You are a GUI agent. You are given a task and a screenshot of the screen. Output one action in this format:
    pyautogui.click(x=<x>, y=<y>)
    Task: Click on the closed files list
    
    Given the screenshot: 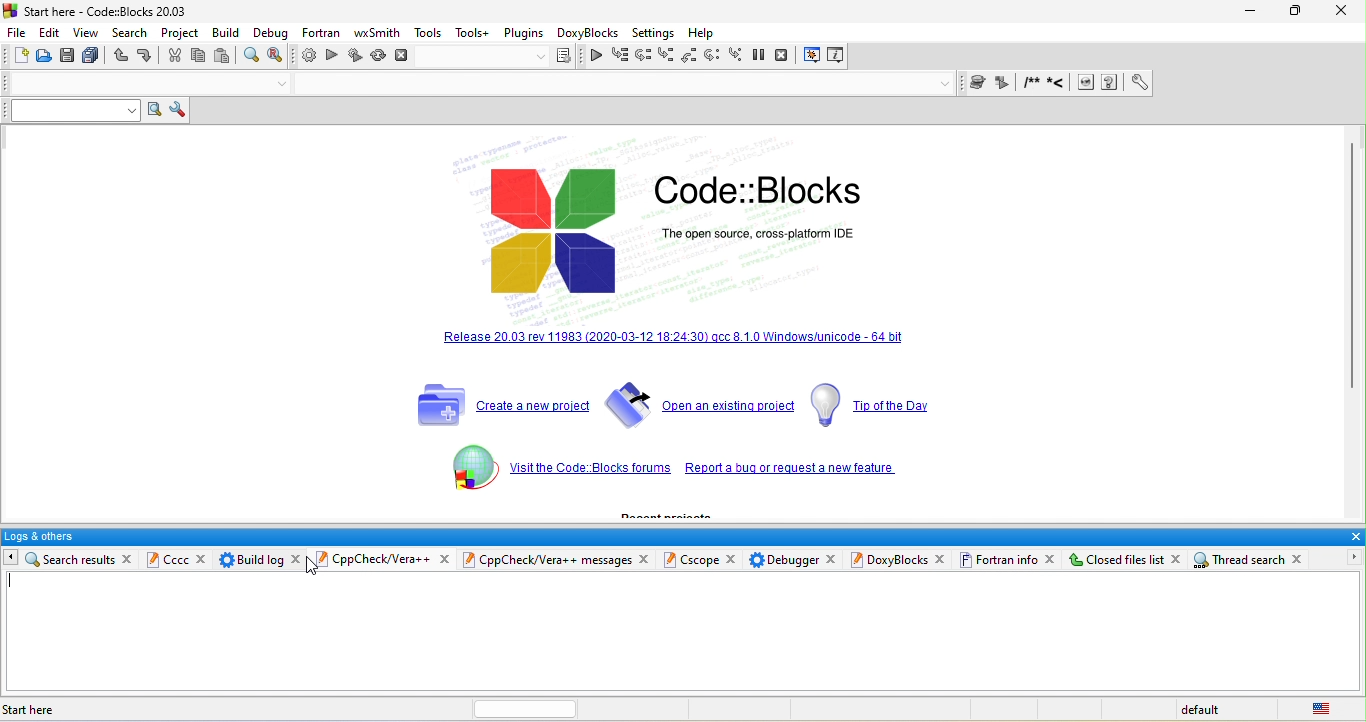 What is the action you would take?
    pyautogui.click(x=1114, y=559)
    